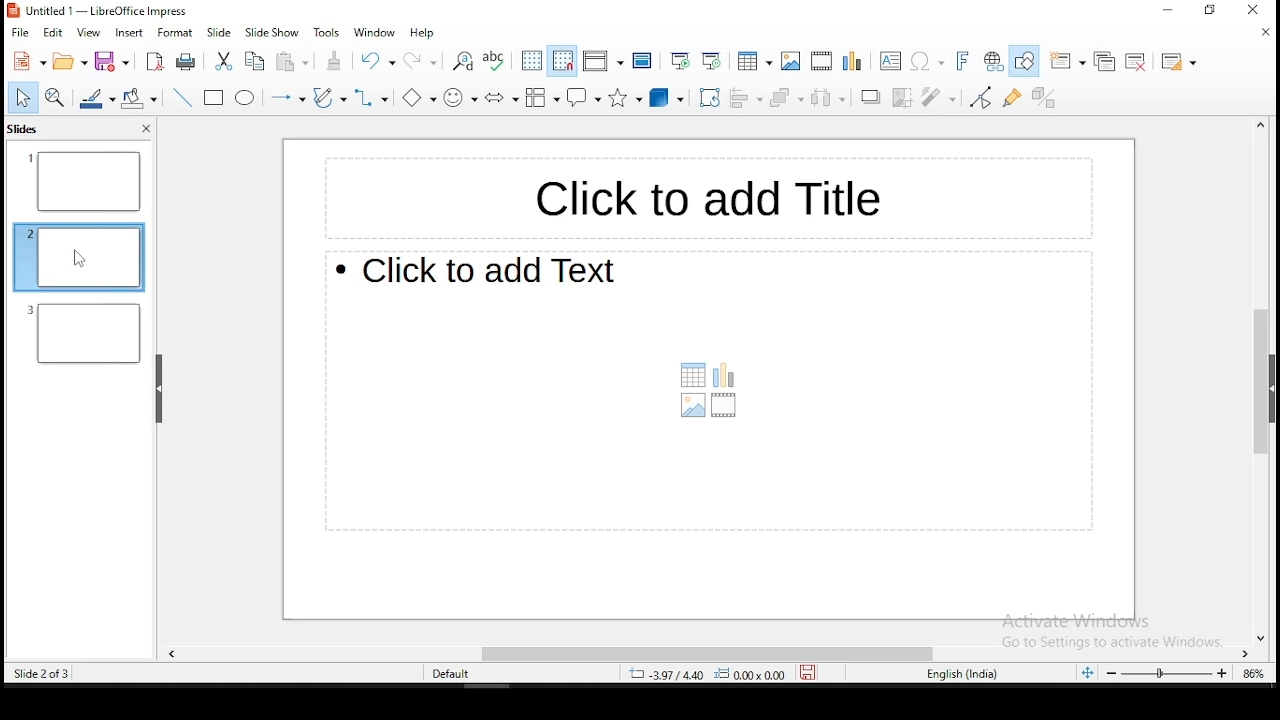 Image resolution: width=1280 pixels, height=720 pixels. What do you see at coordinates (904, 97) in the screenshot?
I see `crop image` at bounding box center [904, 97].